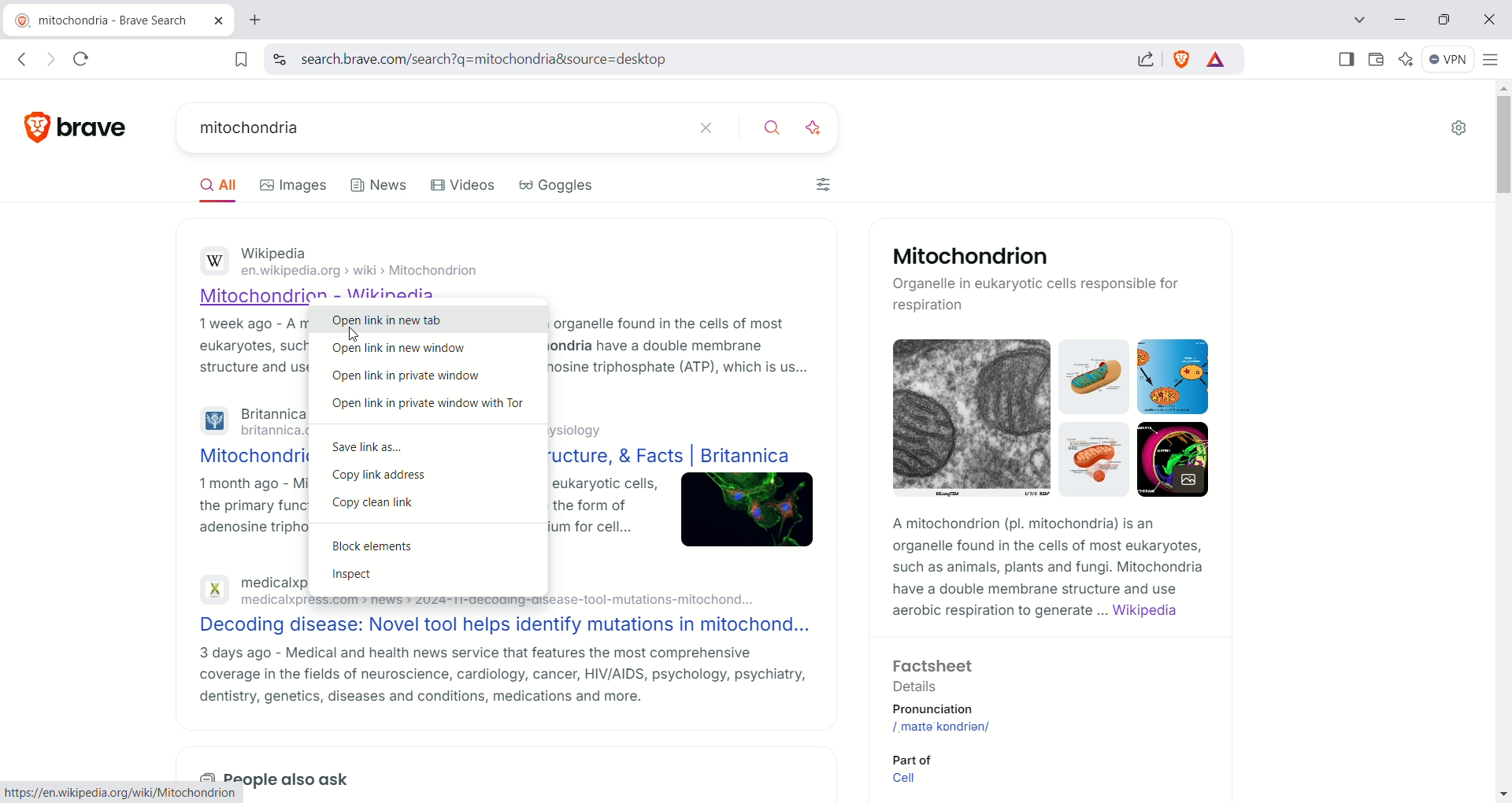 The image size is (1512, 803). Describe the element at coordinates (1406, 60) in the screenshot. I see `leo AI` at that location.